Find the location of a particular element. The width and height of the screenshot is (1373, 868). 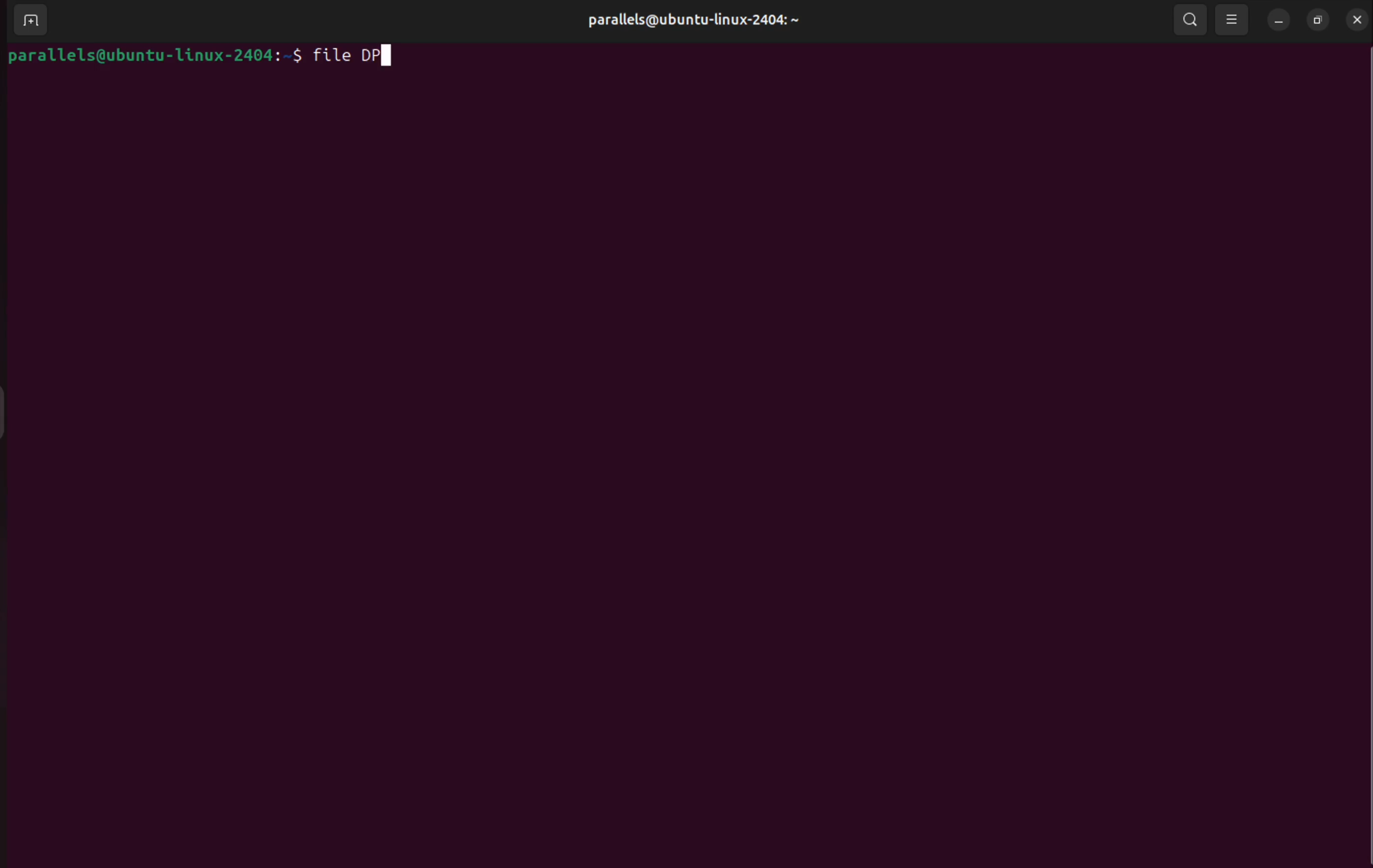

resize is located at coordinates (1318, 20).